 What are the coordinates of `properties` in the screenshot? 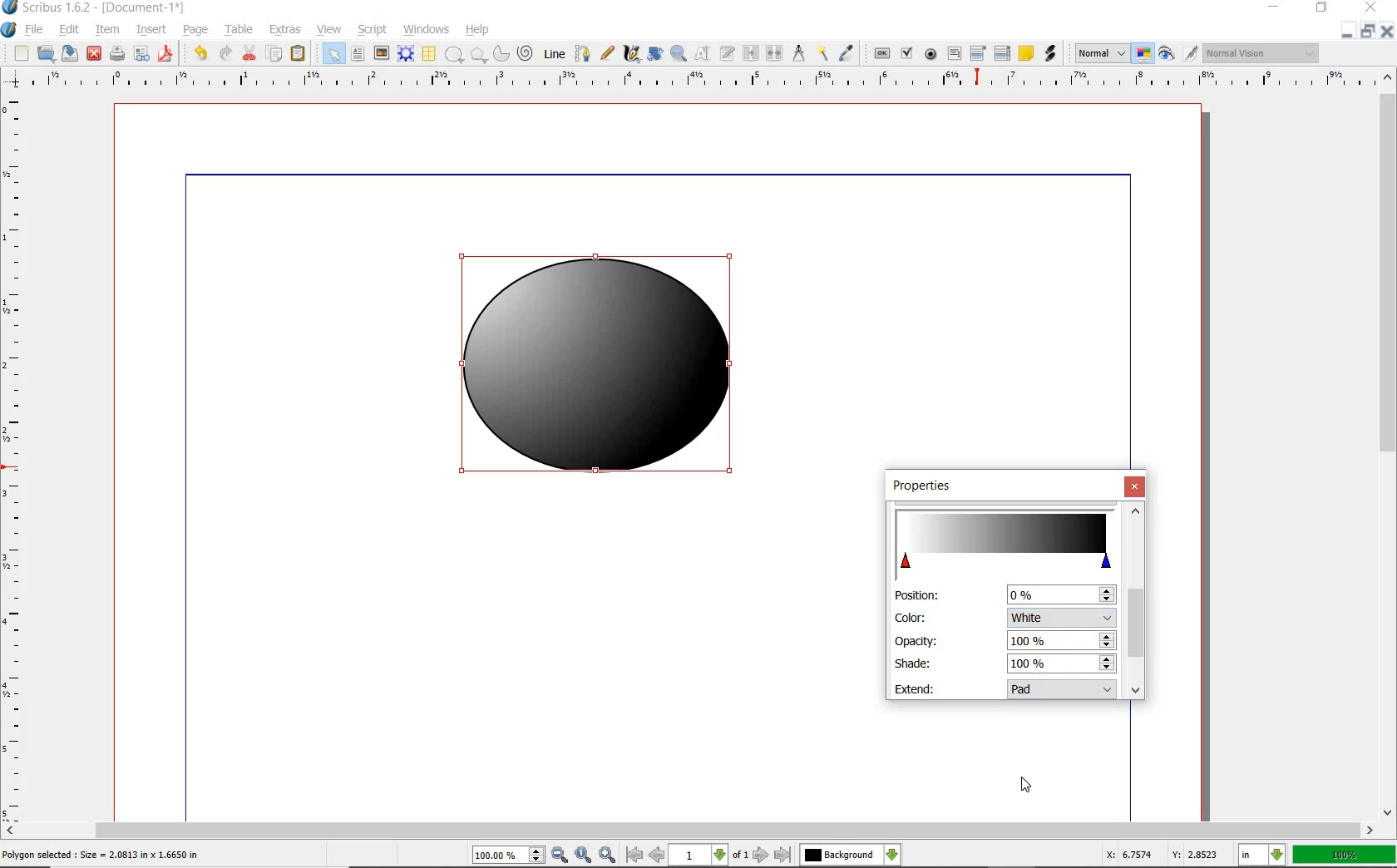 It's located at (938, 486).